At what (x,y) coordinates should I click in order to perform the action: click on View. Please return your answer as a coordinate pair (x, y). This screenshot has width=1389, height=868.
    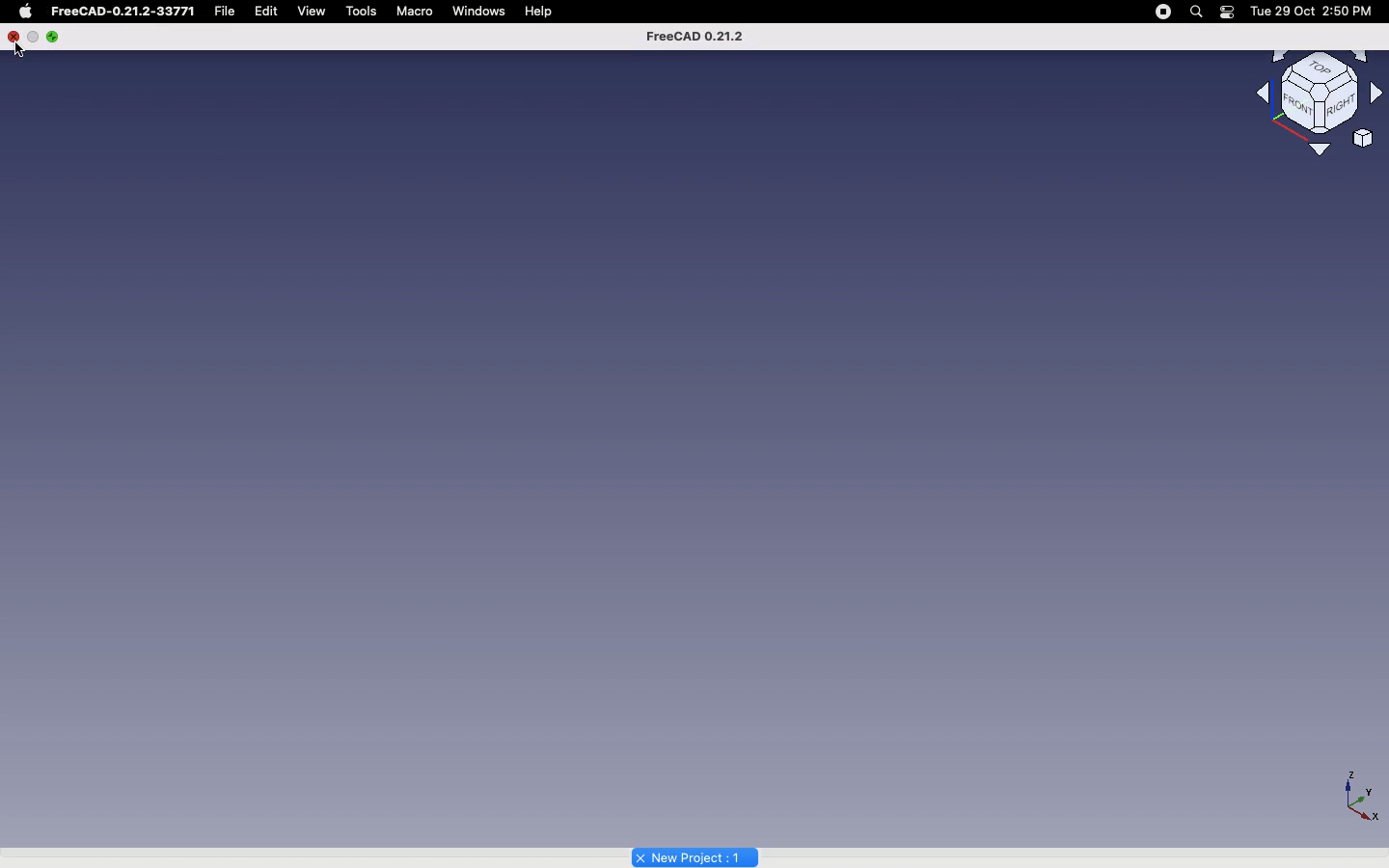
    Looking at the image, I should click on (313, 11).